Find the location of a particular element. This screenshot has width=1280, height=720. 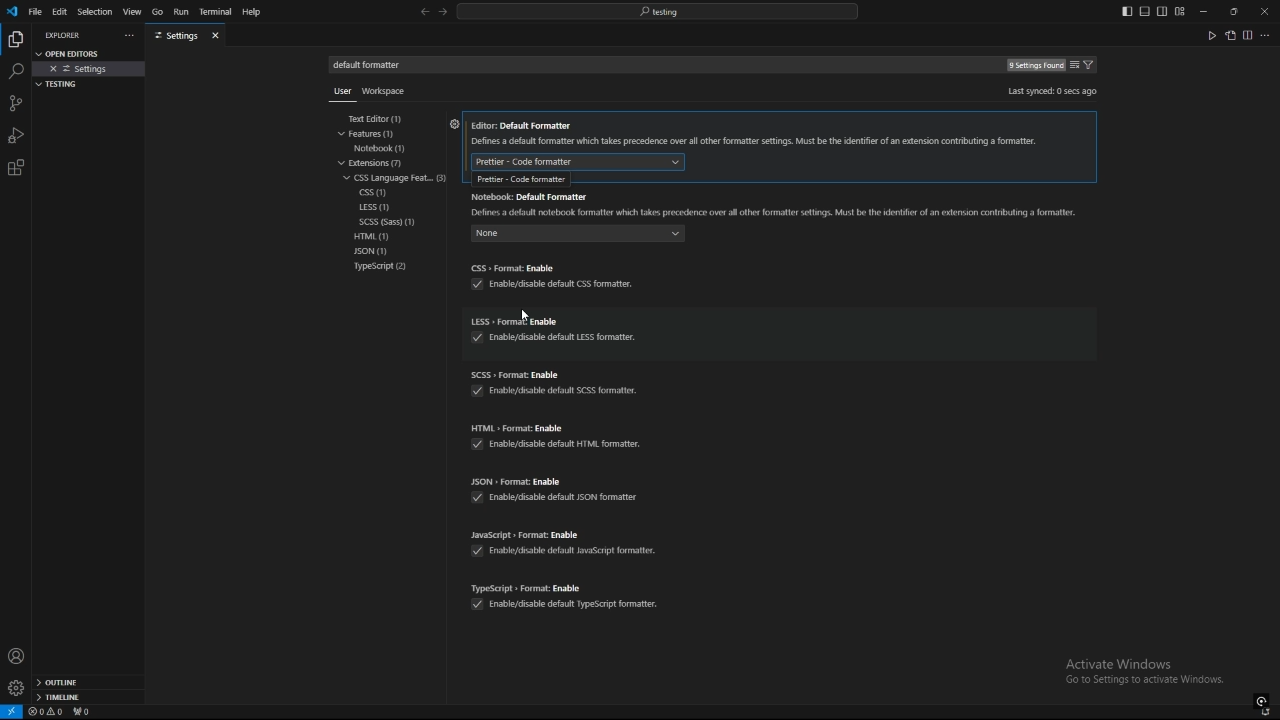

less is located at coordinates (375, 208).